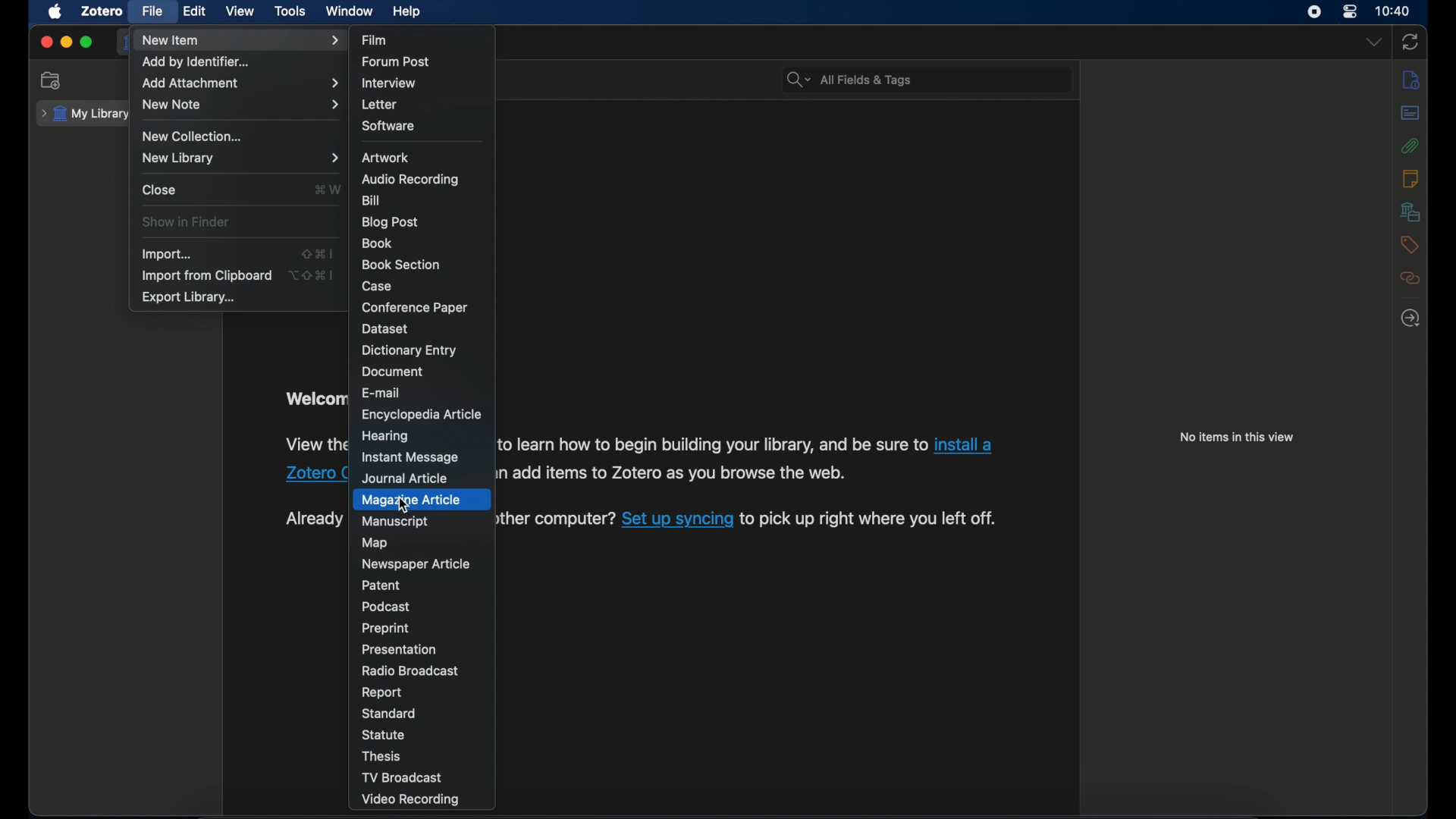 This screenshot has height=819, width=1456. I want to click on so you can add items to Zotero as you browse the web, so click(672, 475).